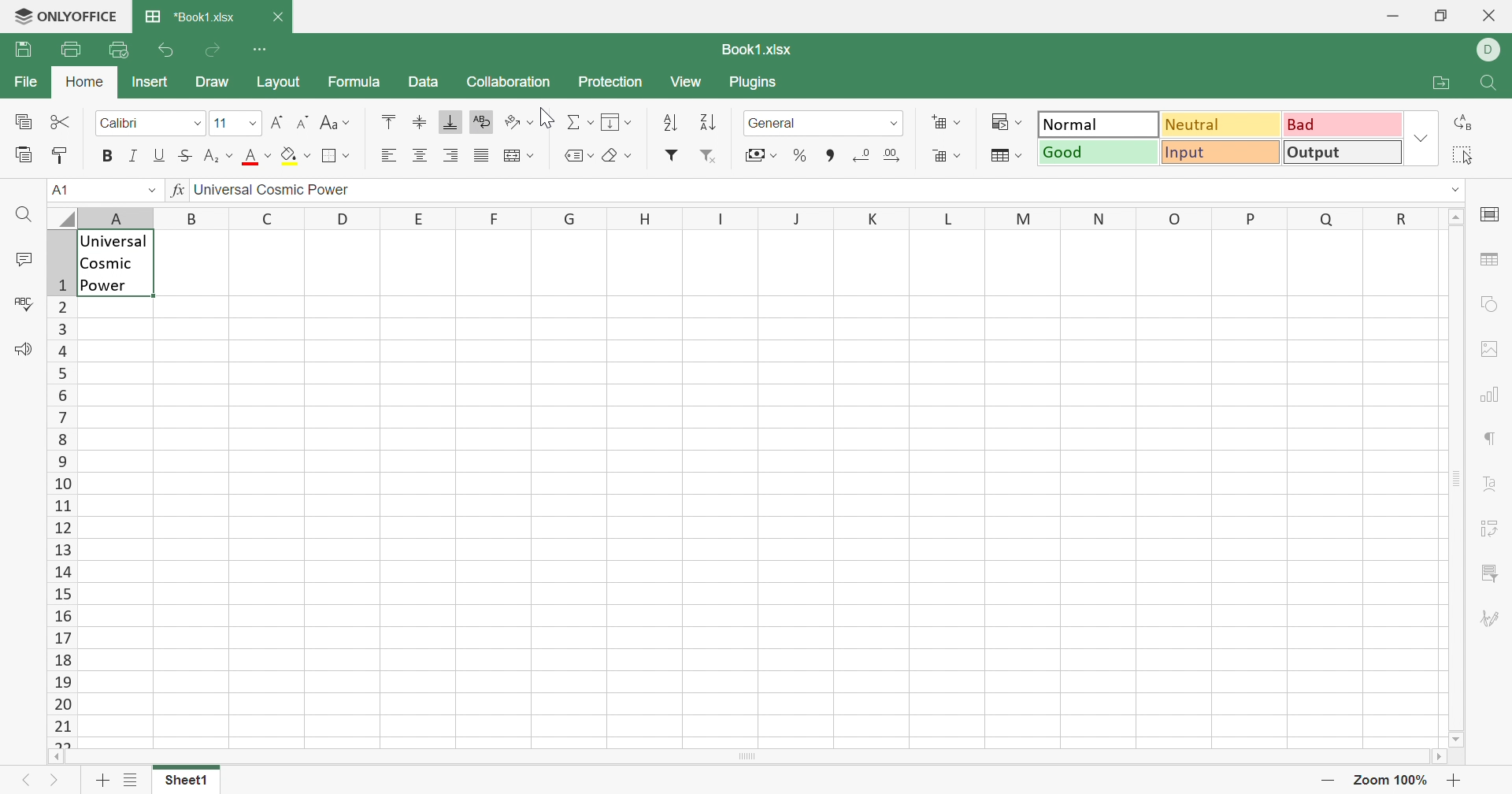  Describe the element at coordinates (143, 191) in the screenshot. I see `Drop Down` at that location.